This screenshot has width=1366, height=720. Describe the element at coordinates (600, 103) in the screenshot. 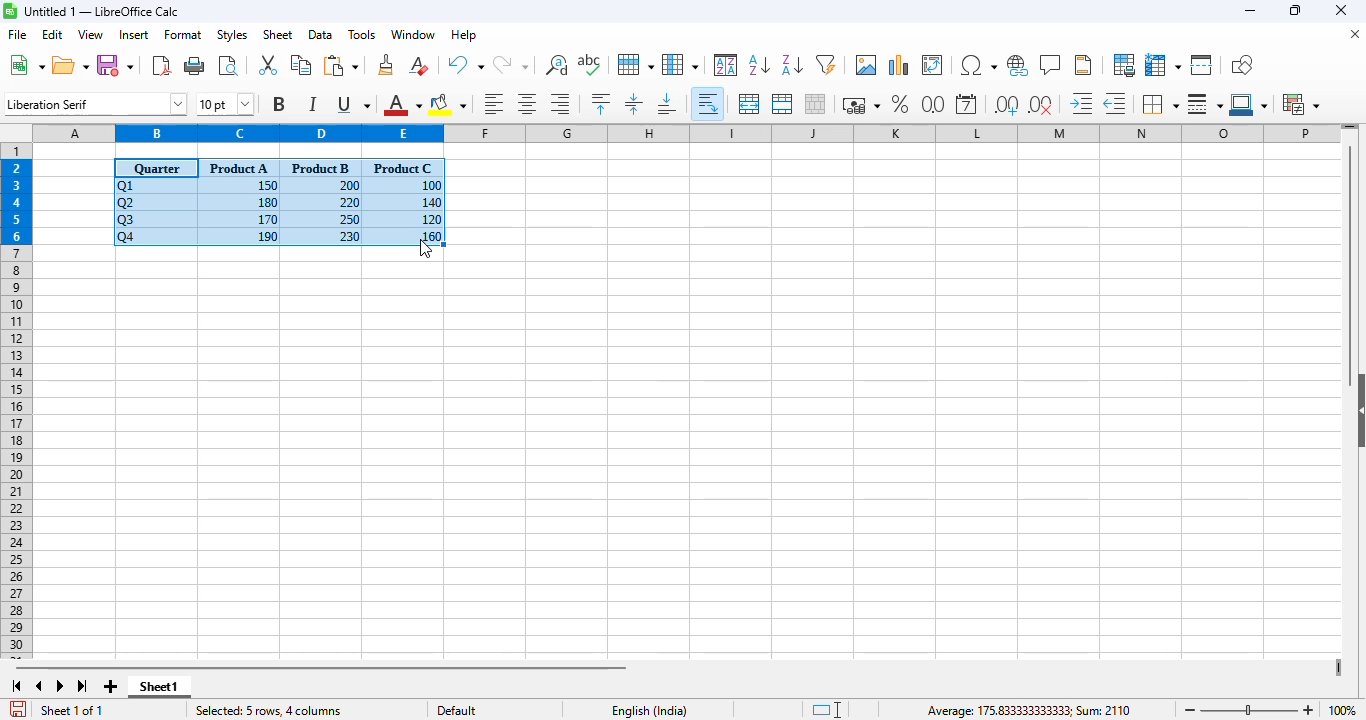

I see `align top` at that location.